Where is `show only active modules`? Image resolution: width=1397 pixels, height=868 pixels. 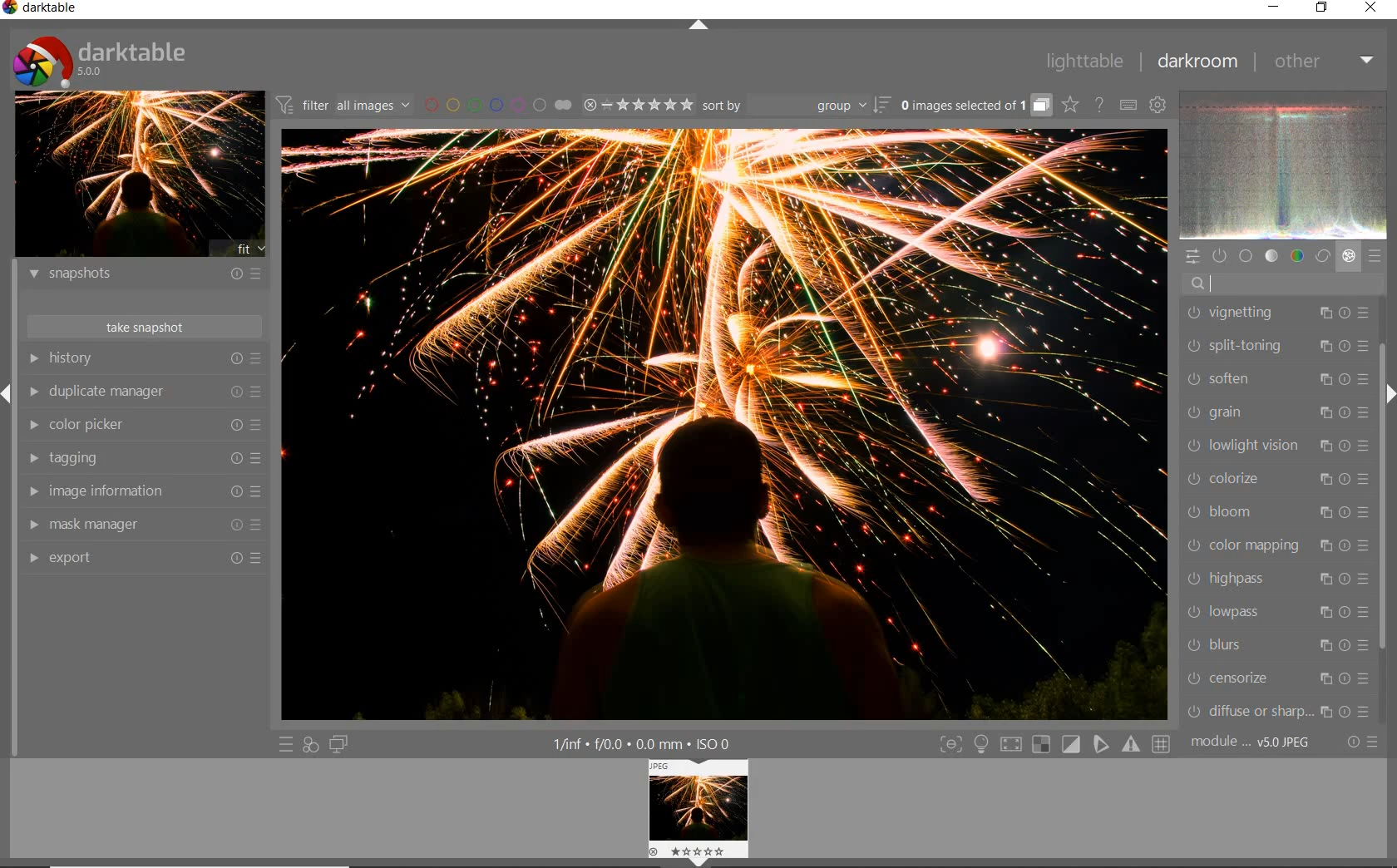 show only active modules is located at coordinates (1221, 255).